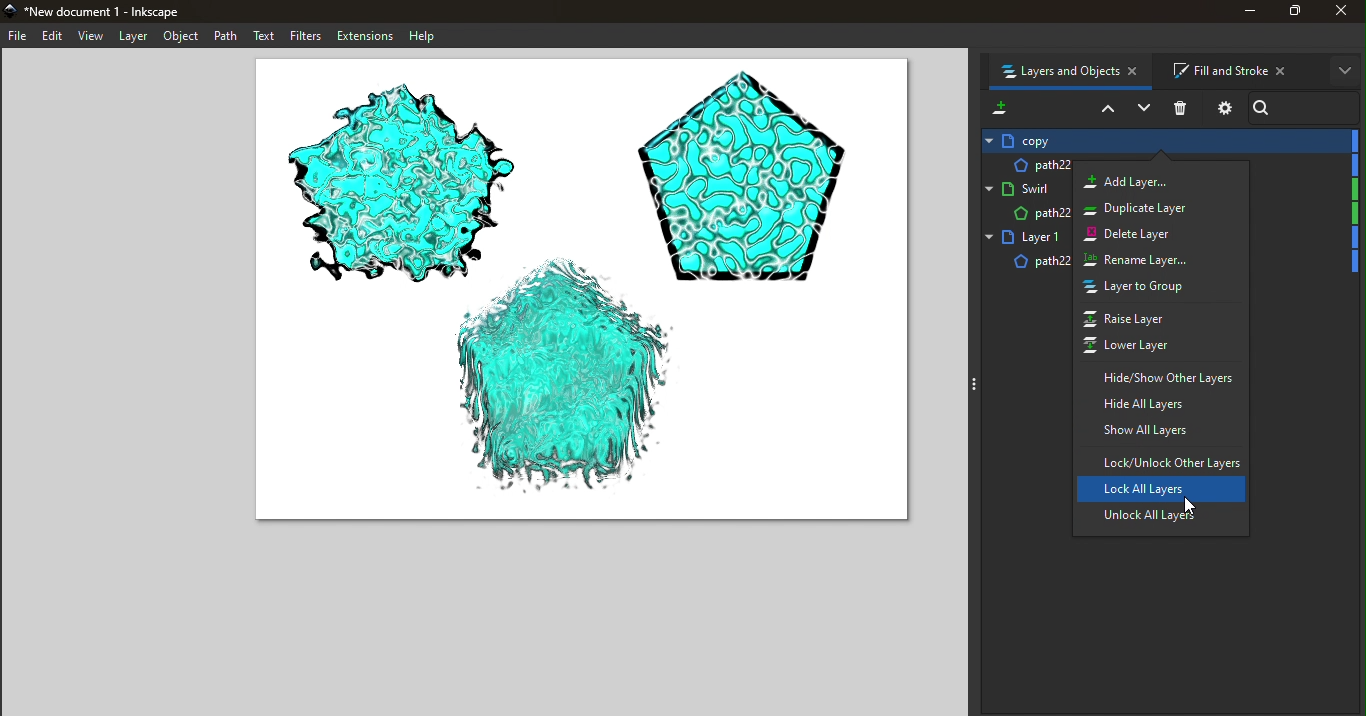 Image resolution: width=1366 pixels, height=716 pixels. Describe the element at coordinates (56, 37) in the screenshot. I see `Edit` at that location.